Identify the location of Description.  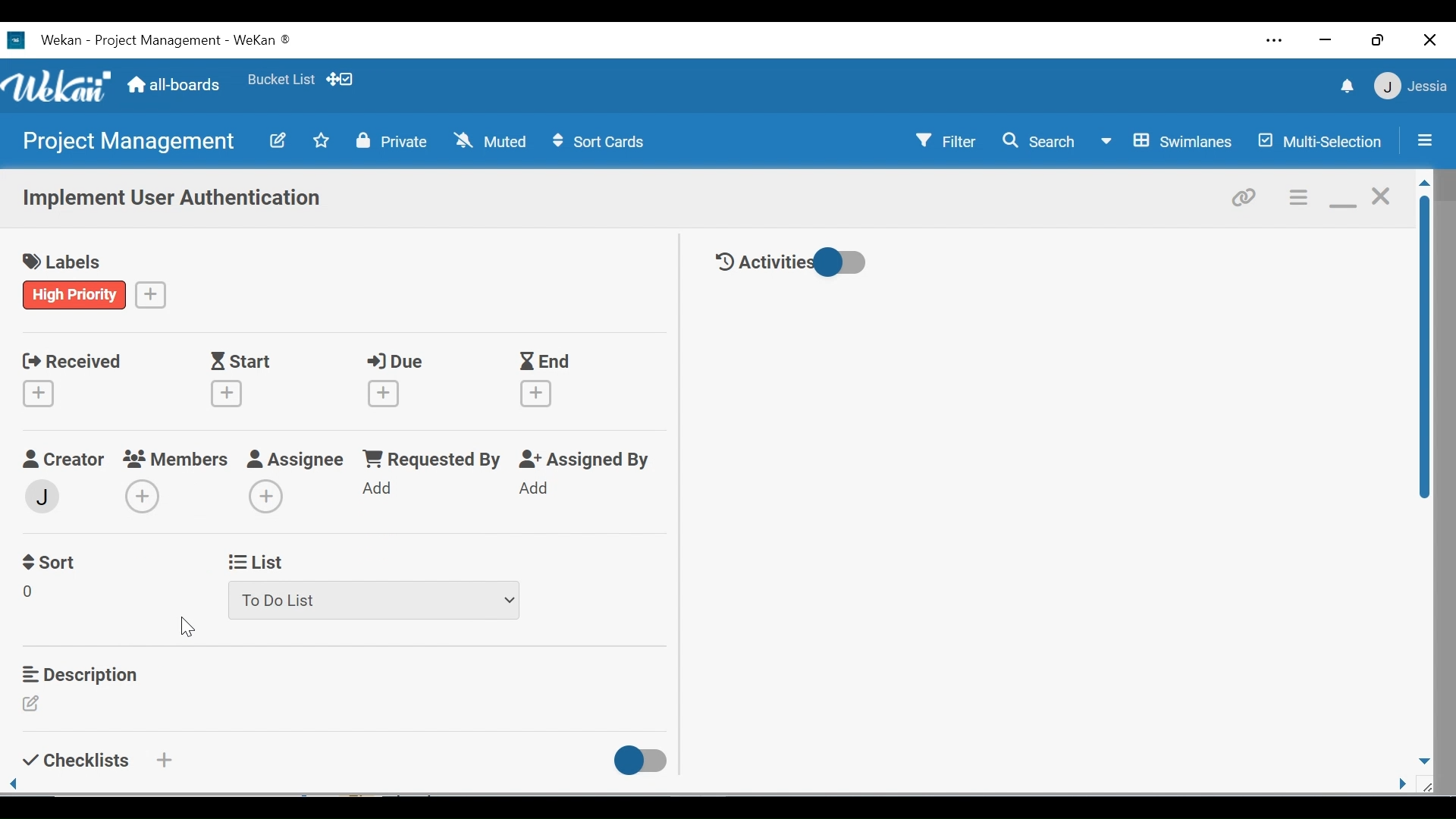
(80, 672).